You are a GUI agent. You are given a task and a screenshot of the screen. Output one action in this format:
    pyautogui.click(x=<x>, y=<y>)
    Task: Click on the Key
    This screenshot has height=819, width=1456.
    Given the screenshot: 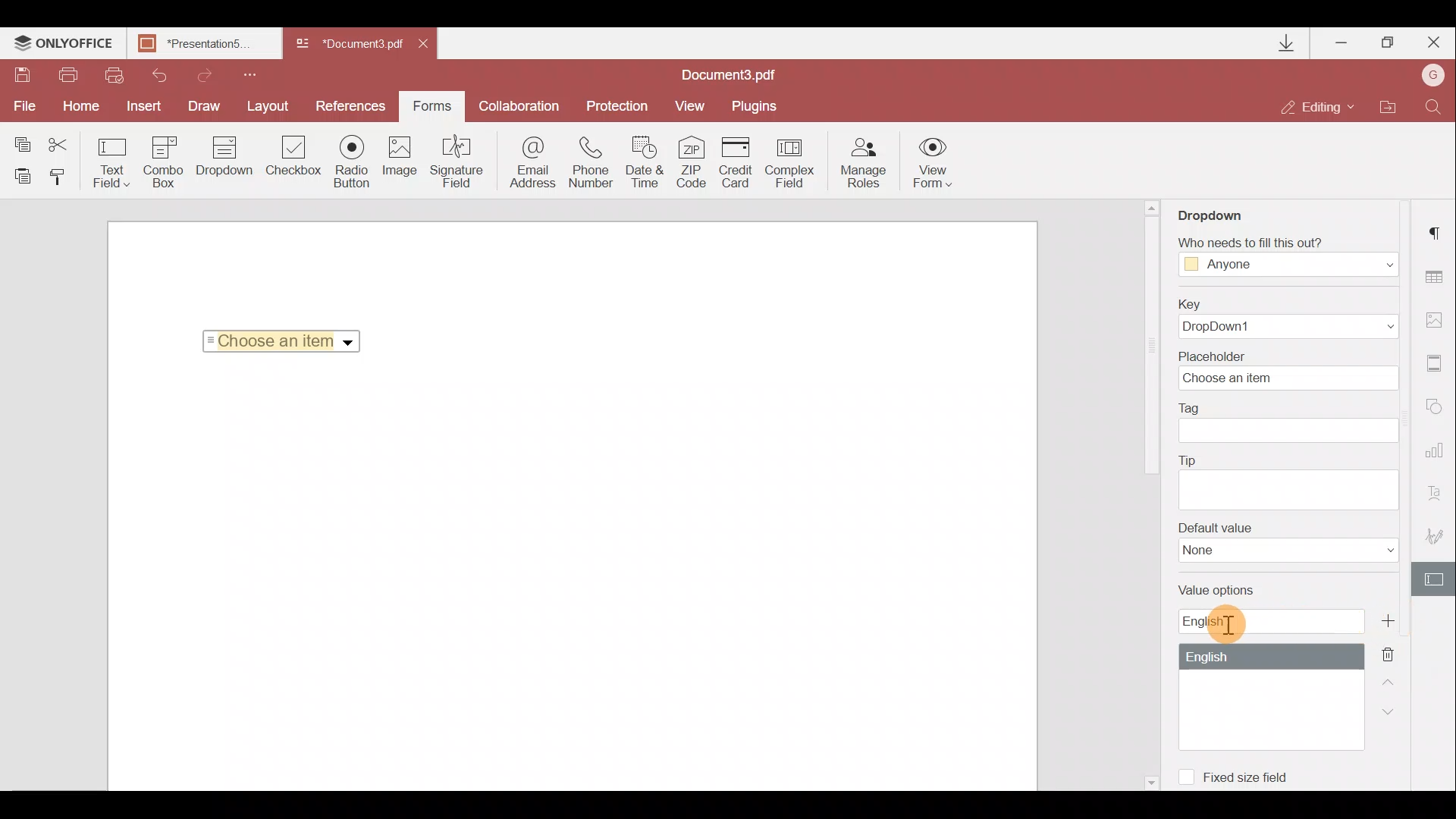 What is the action you would take?
    pyautogui.click(x=1282, y=318)
    